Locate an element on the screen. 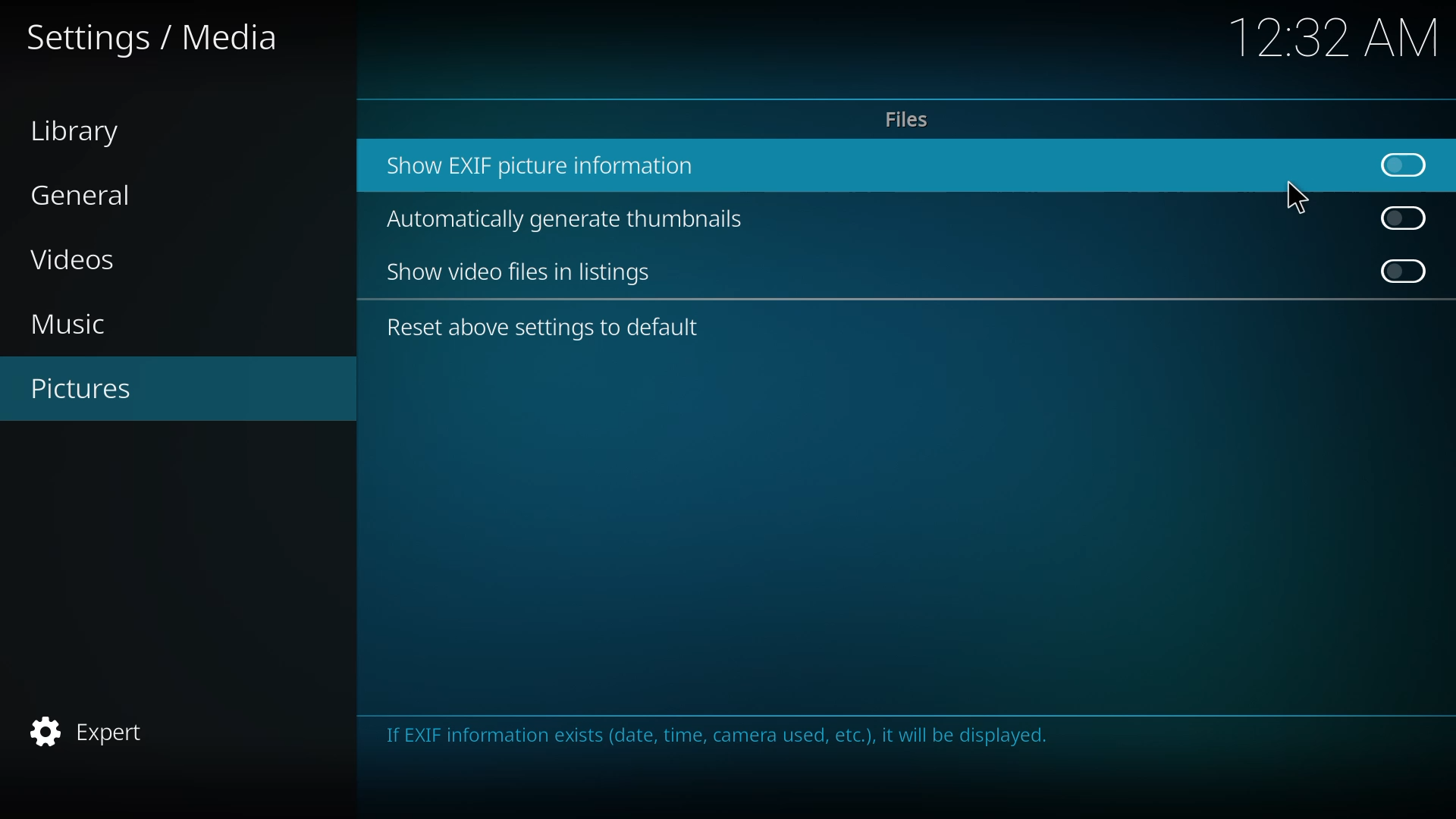 The height and width of the screenshot is (819, 1456). click to enable is located at coordinates (1406, 271).